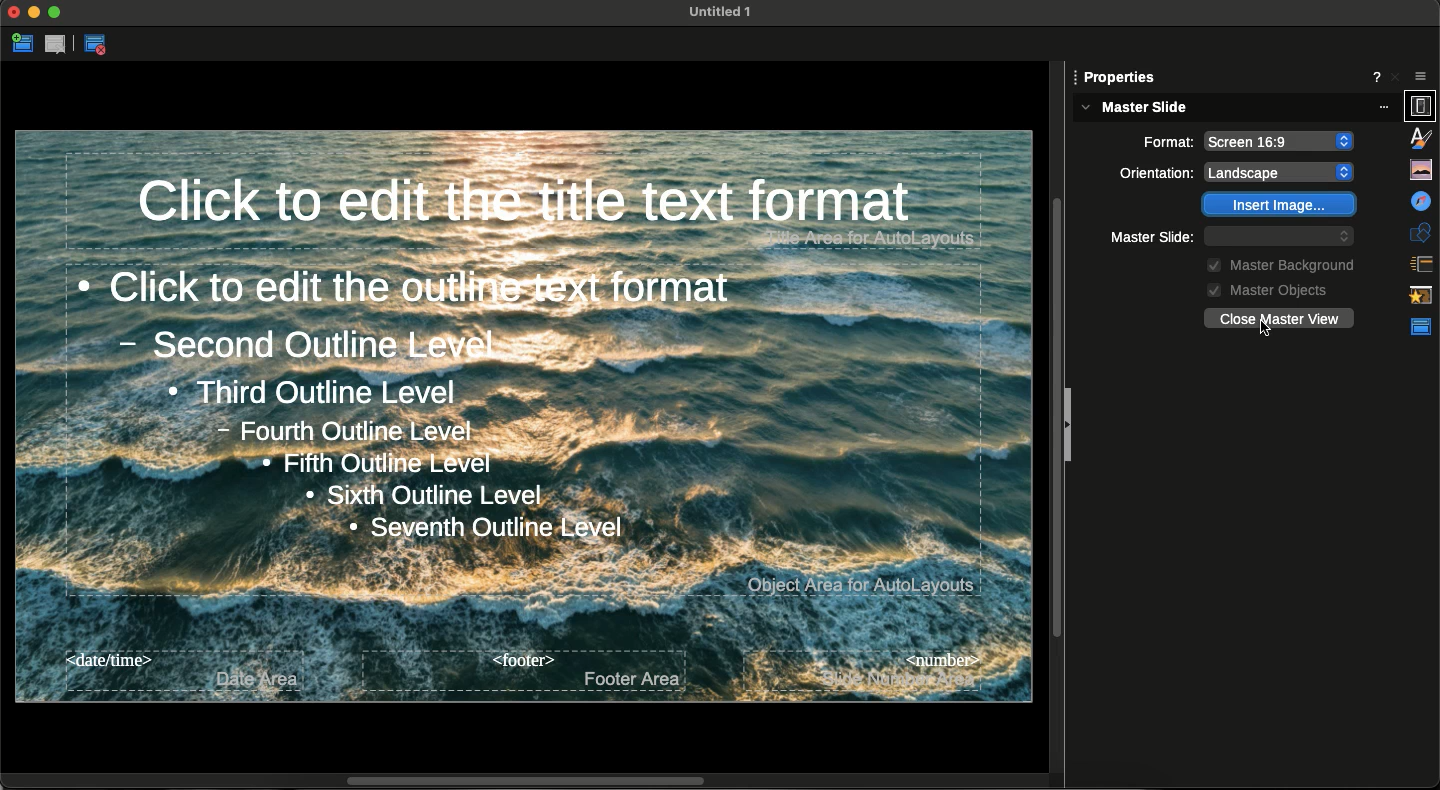  I want to click on Cursor, so click(1261, 329).